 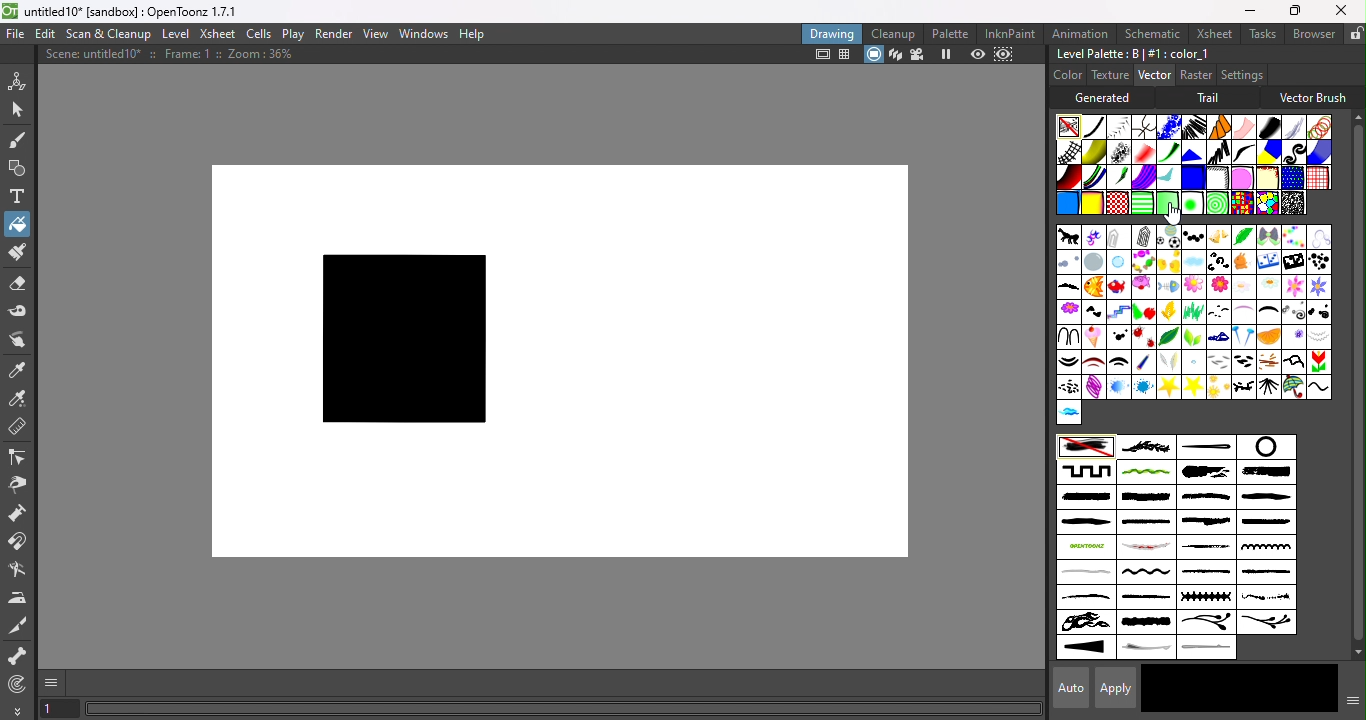 What do you see at coordinates (1014, 33) in the screenshot?
I see `InknPaint` at bounding box center [1014, 33].